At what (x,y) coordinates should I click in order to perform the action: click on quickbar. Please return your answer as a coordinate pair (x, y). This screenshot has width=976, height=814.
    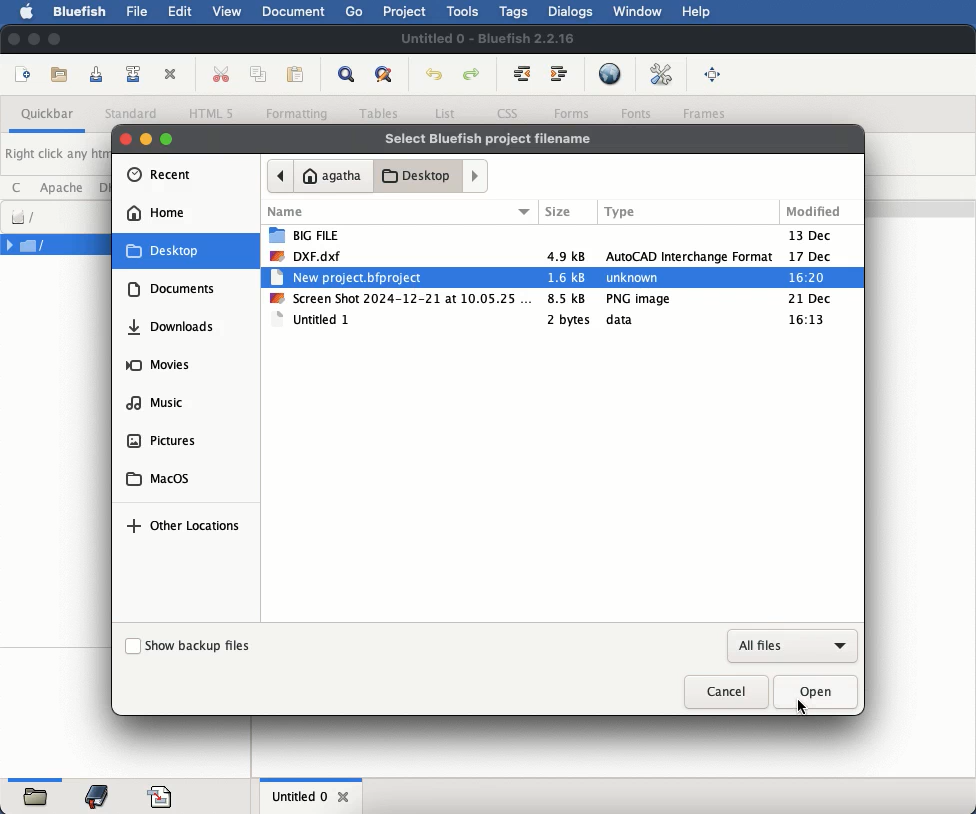
    Looking at the image, I should click on (49, 115).